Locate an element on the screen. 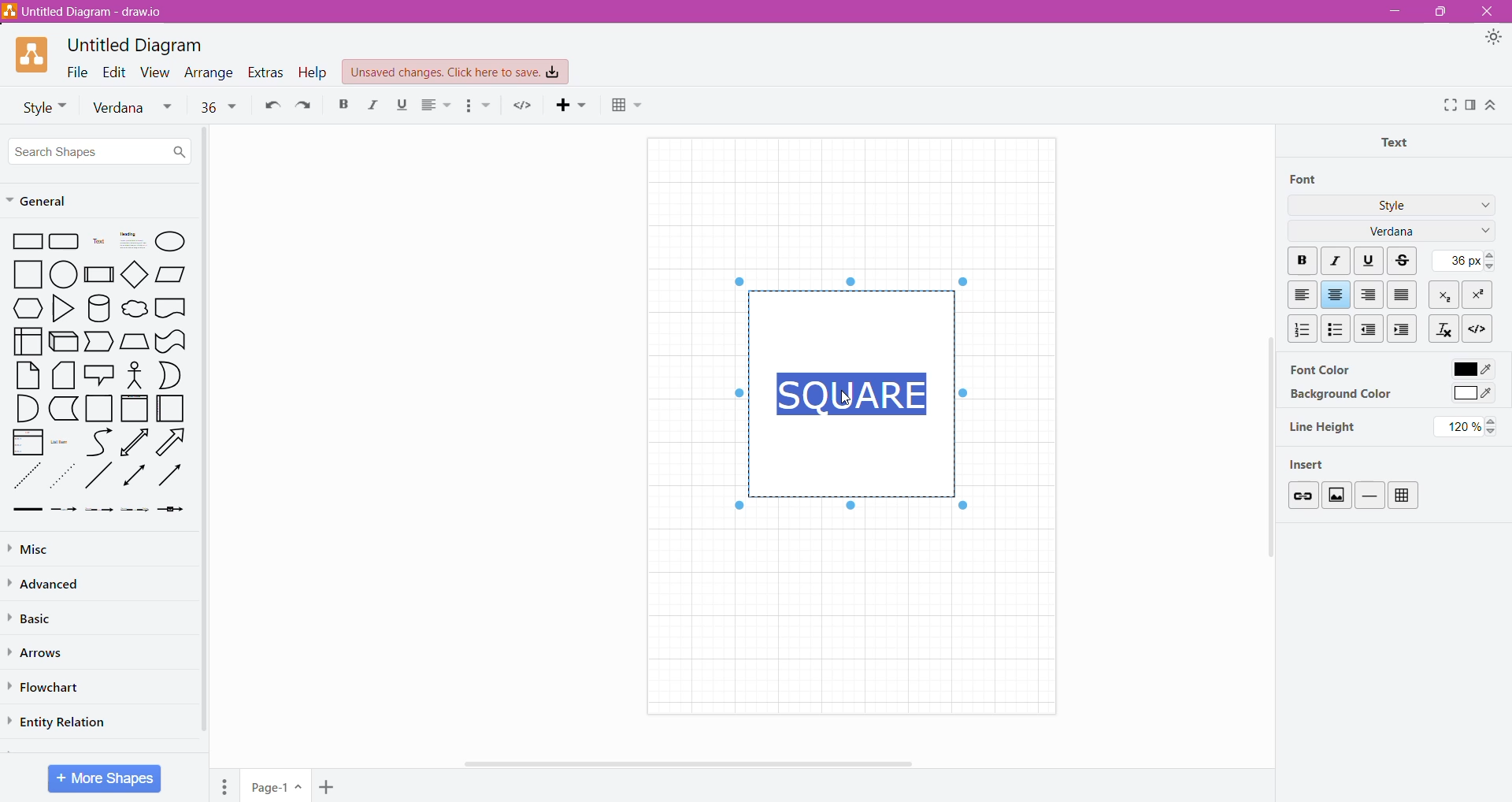 The width and height of the screenshot is (1512, 802). HTML is located at coordinates (1476, 327).